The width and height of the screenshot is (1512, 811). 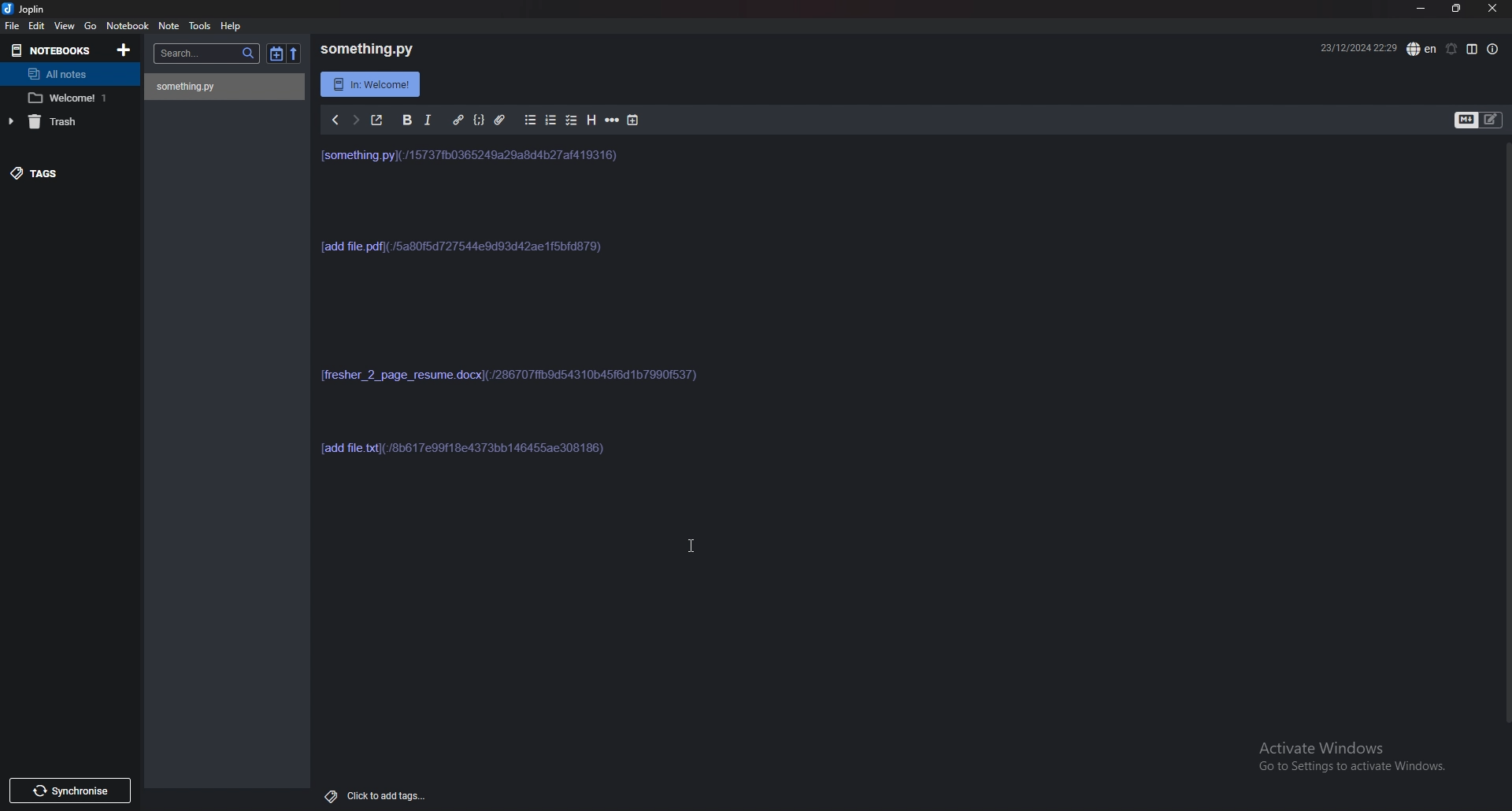 I want to click on Hyperlink, so click(x=456, y=121).